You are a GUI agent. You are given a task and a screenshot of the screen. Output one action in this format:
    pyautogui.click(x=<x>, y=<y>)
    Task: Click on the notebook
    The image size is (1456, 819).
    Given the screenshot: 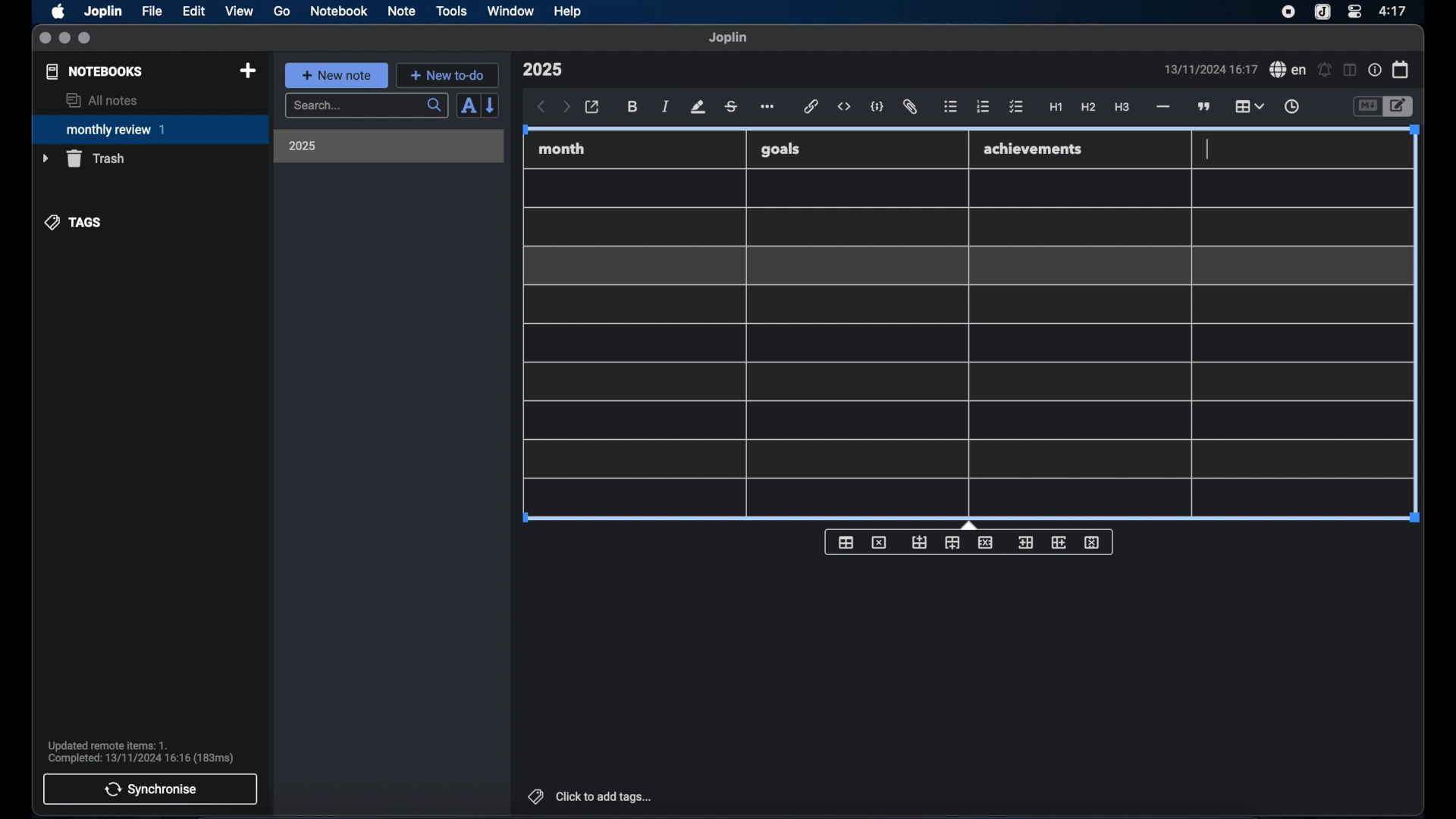 What is the action you would take?
    pyautogui.click(x=339, y=11)
    